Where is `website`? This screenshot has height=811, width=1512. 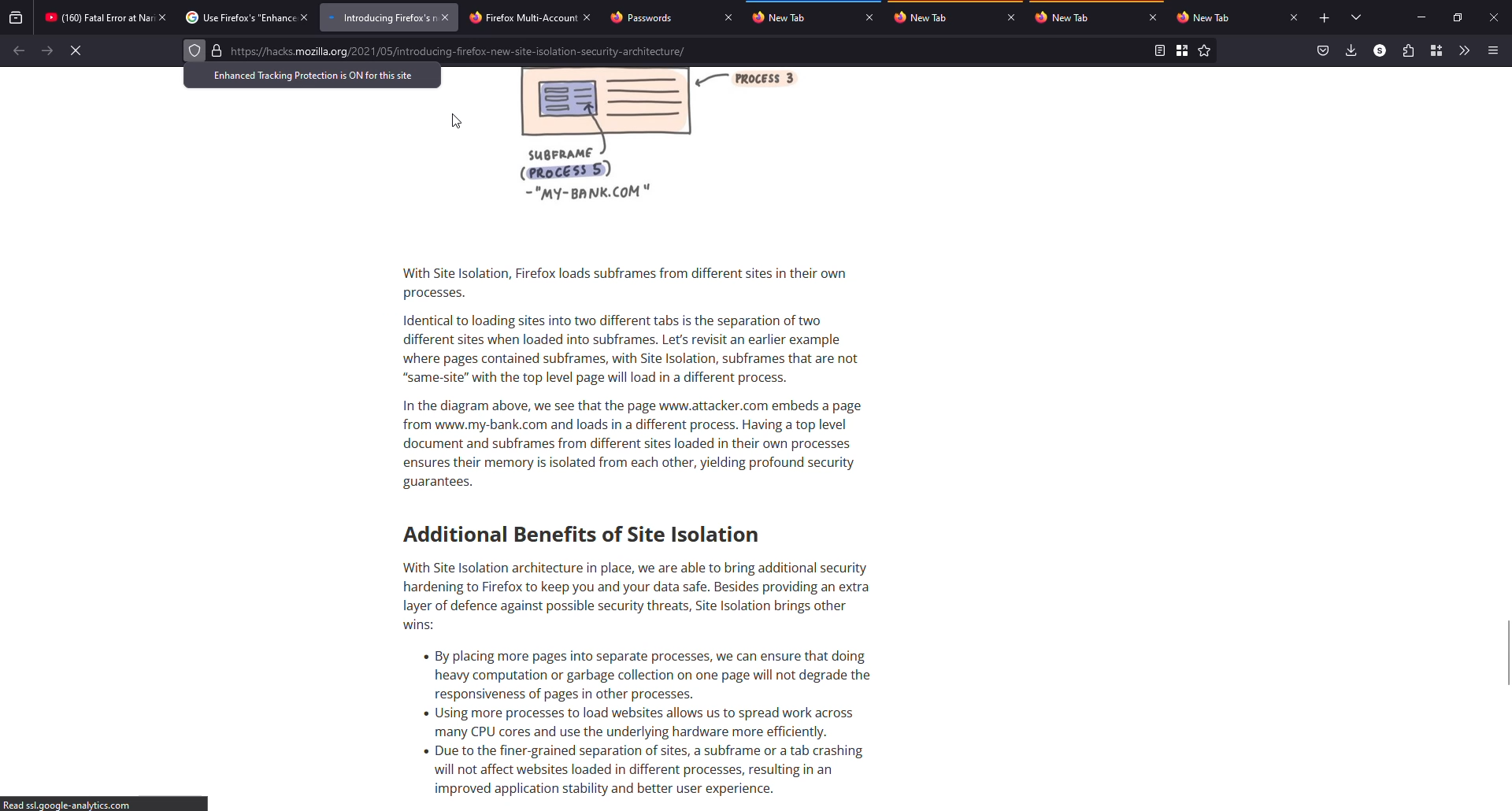 website is located at coordinates (461, 53).